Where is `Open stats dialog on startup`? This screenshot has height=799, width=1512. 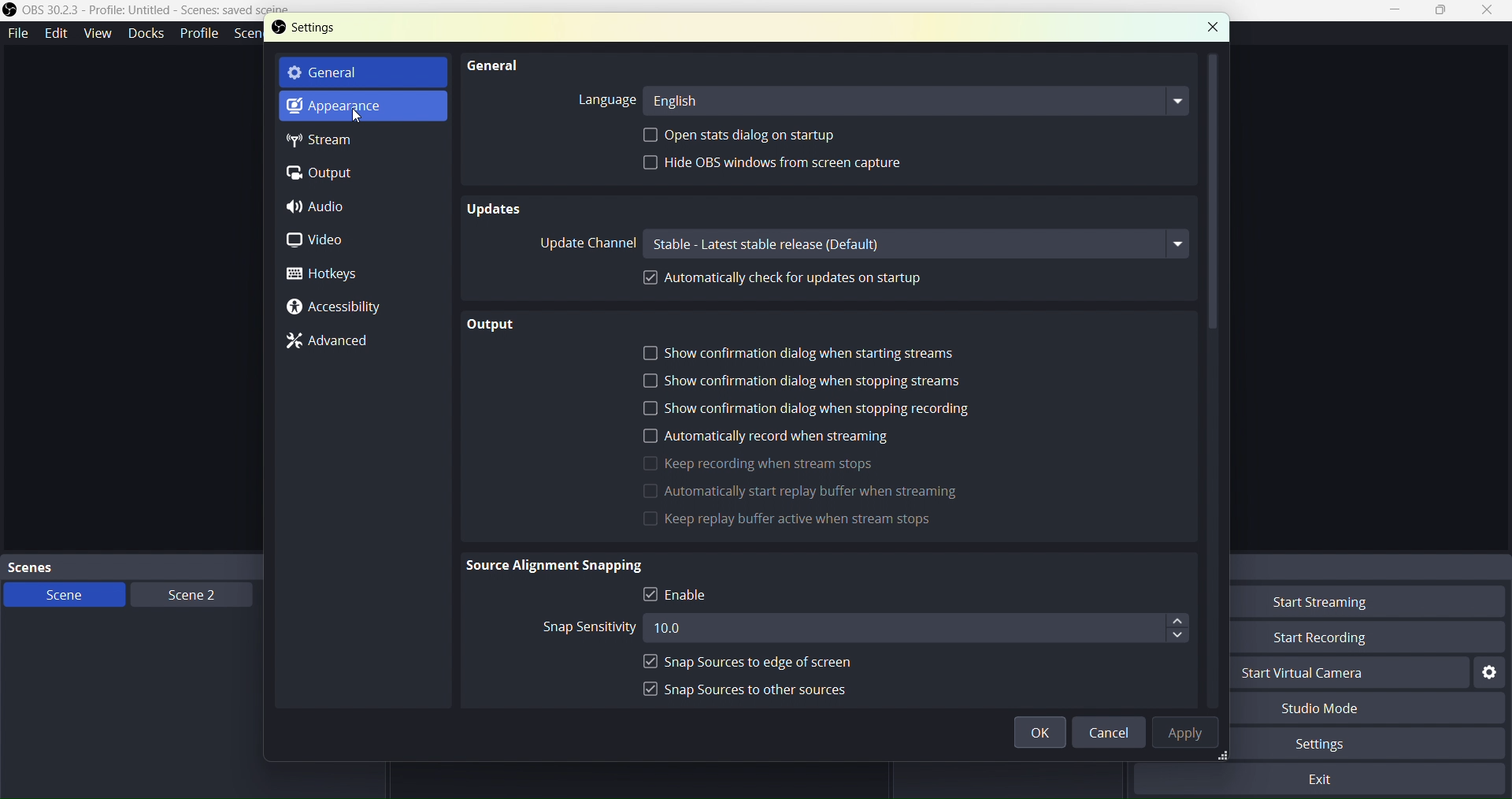 Open stats dialog on startup is located at coordinates (765, 136).